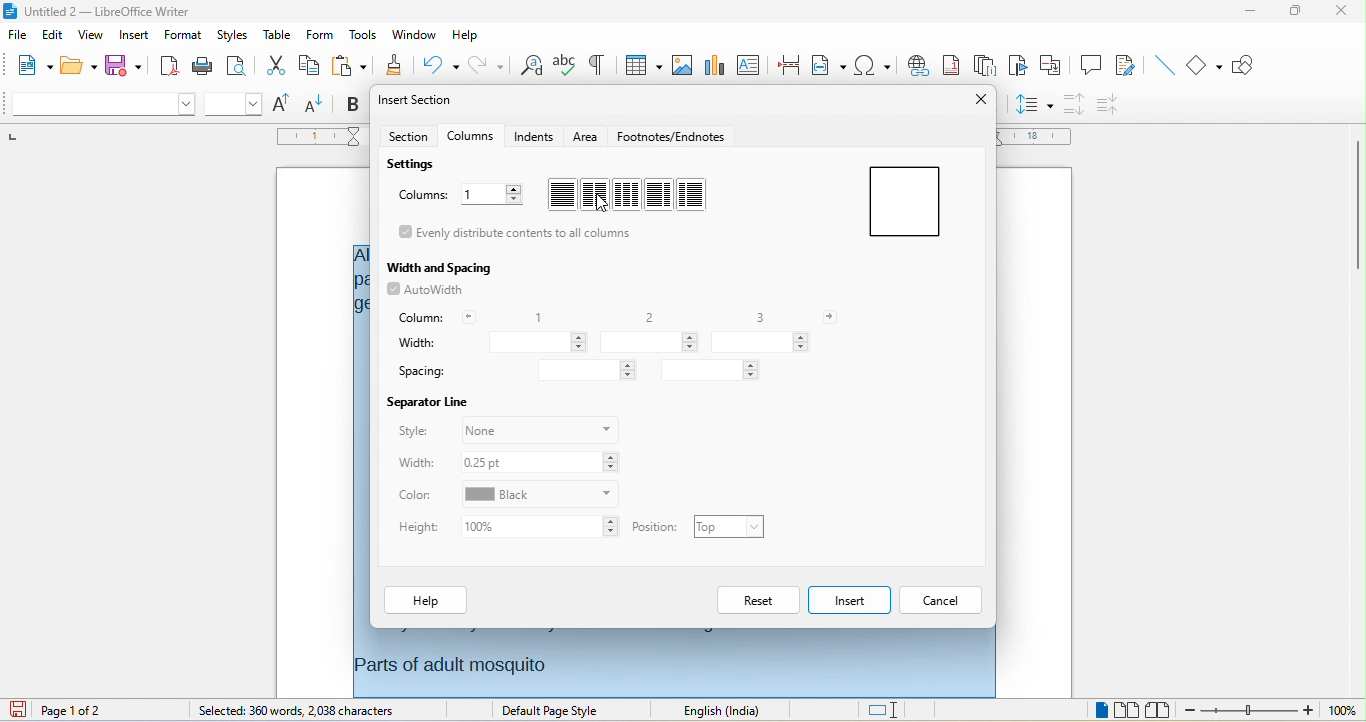 The width and height of the screenshot is (1366, 722). I want to click on view, so click(91, 35).